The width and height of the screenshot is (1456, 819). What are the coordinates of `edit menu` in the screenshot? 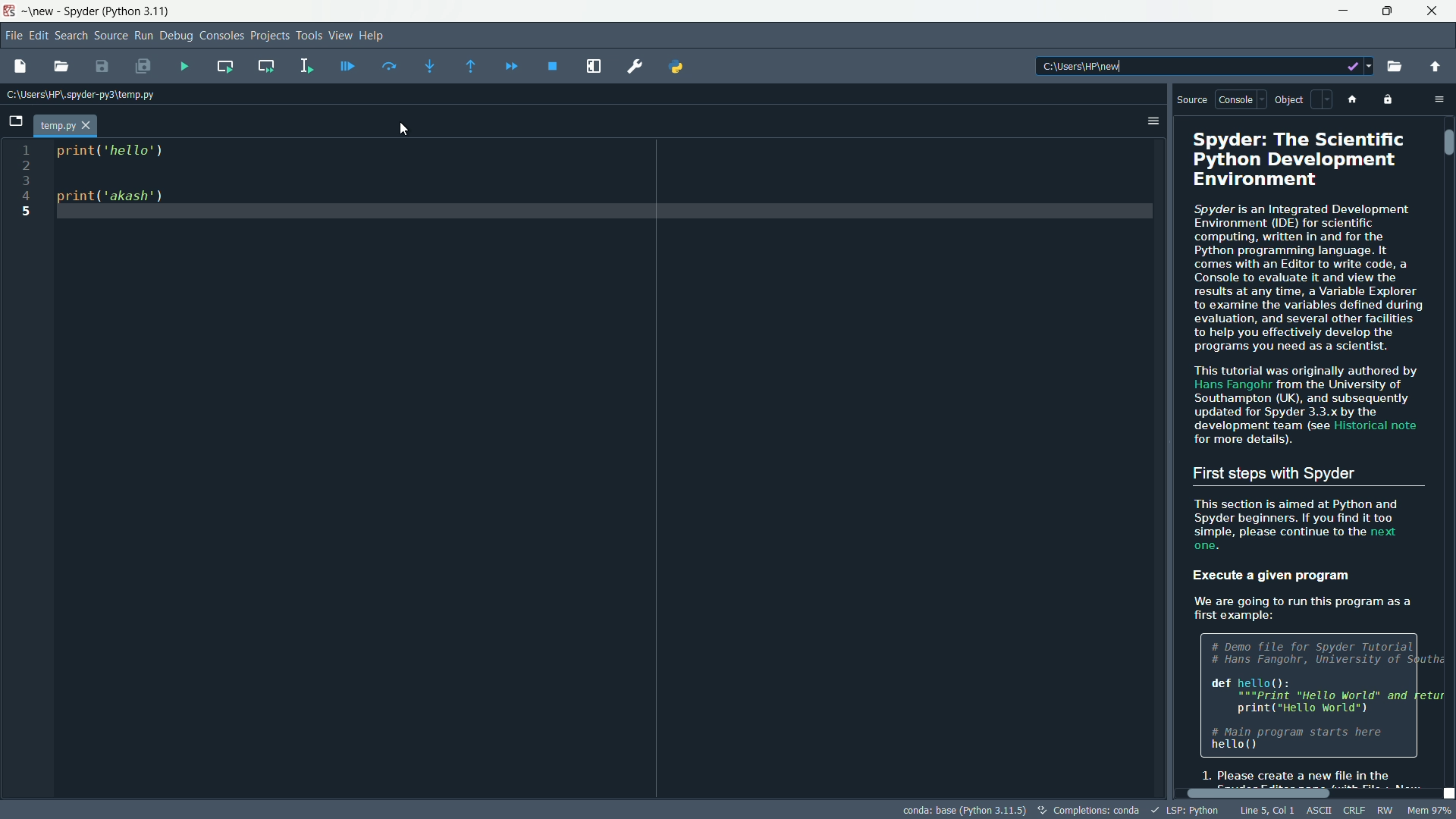 It's located at (39, 35).